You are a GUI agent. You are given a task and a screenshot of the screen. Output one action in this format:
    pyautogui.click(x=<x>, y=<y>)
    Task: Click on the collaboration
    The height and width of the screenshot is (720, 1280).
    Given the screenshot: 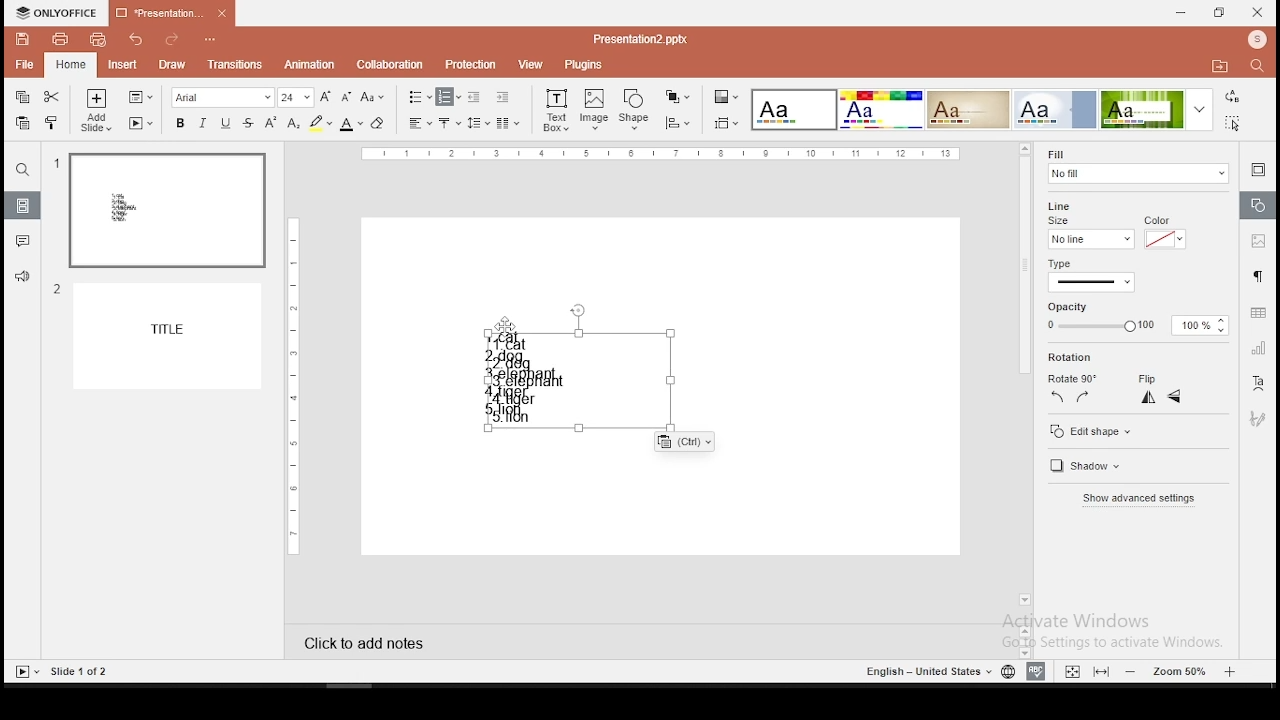 What is the action you would take?
    pyautogui.click(x=390, y=65)
    